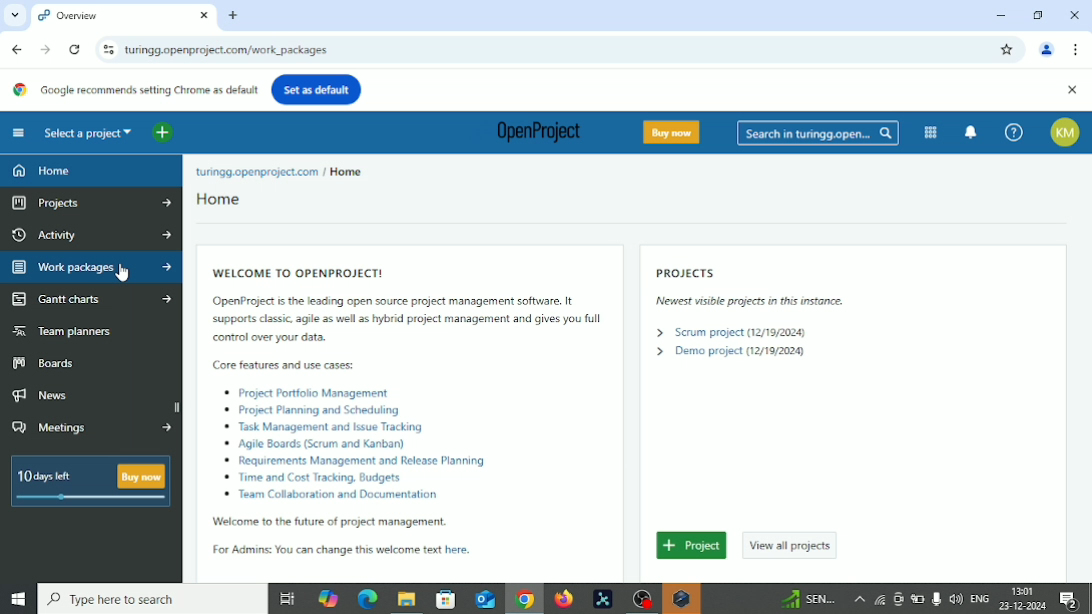 Image resolution: width=1092 pixels, height=614 pixels. I want to click on Warning, so click(681, 599).